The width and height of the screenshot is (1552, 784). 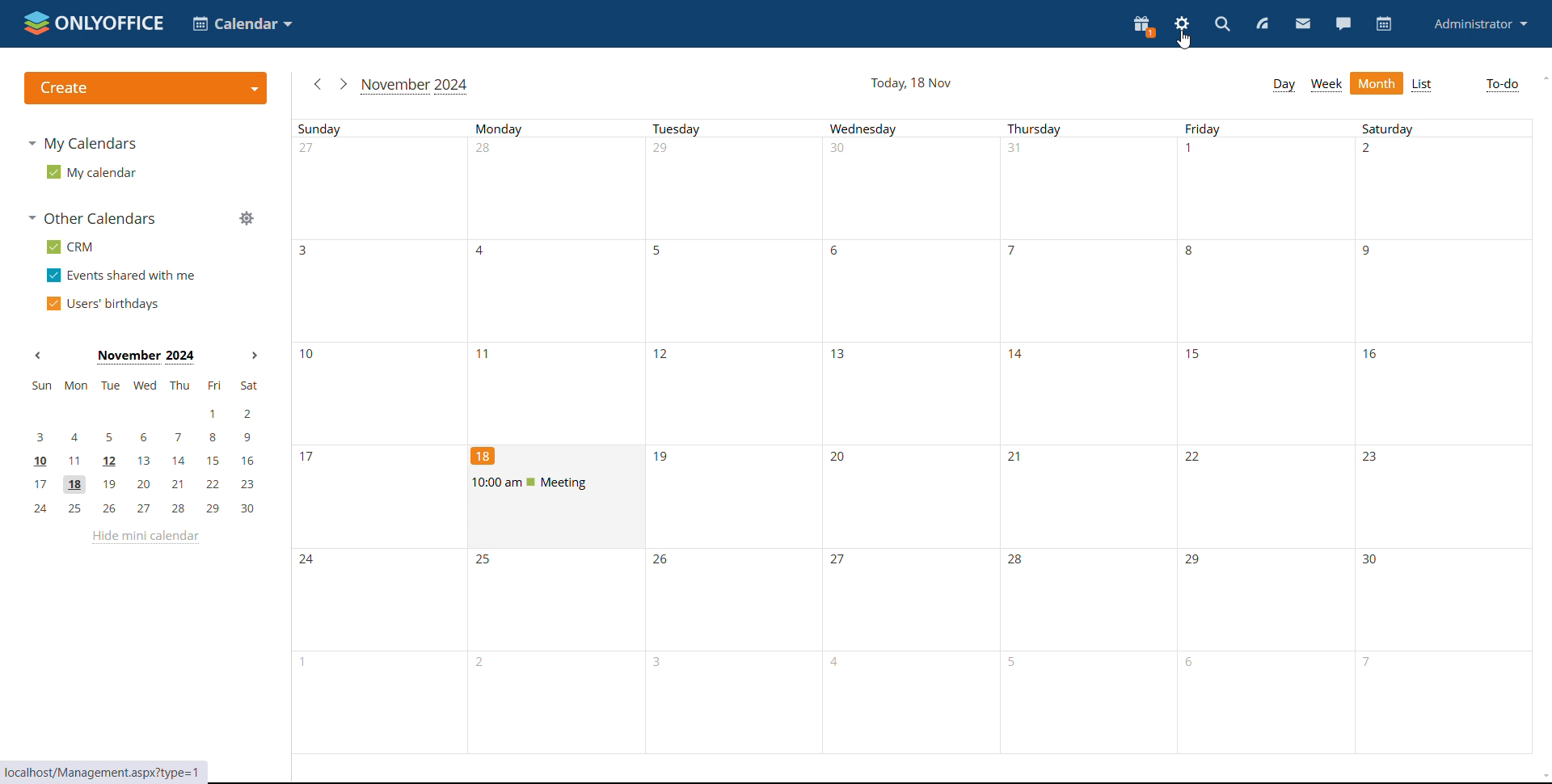 I want to click on crm, so click(x=70, y=247).